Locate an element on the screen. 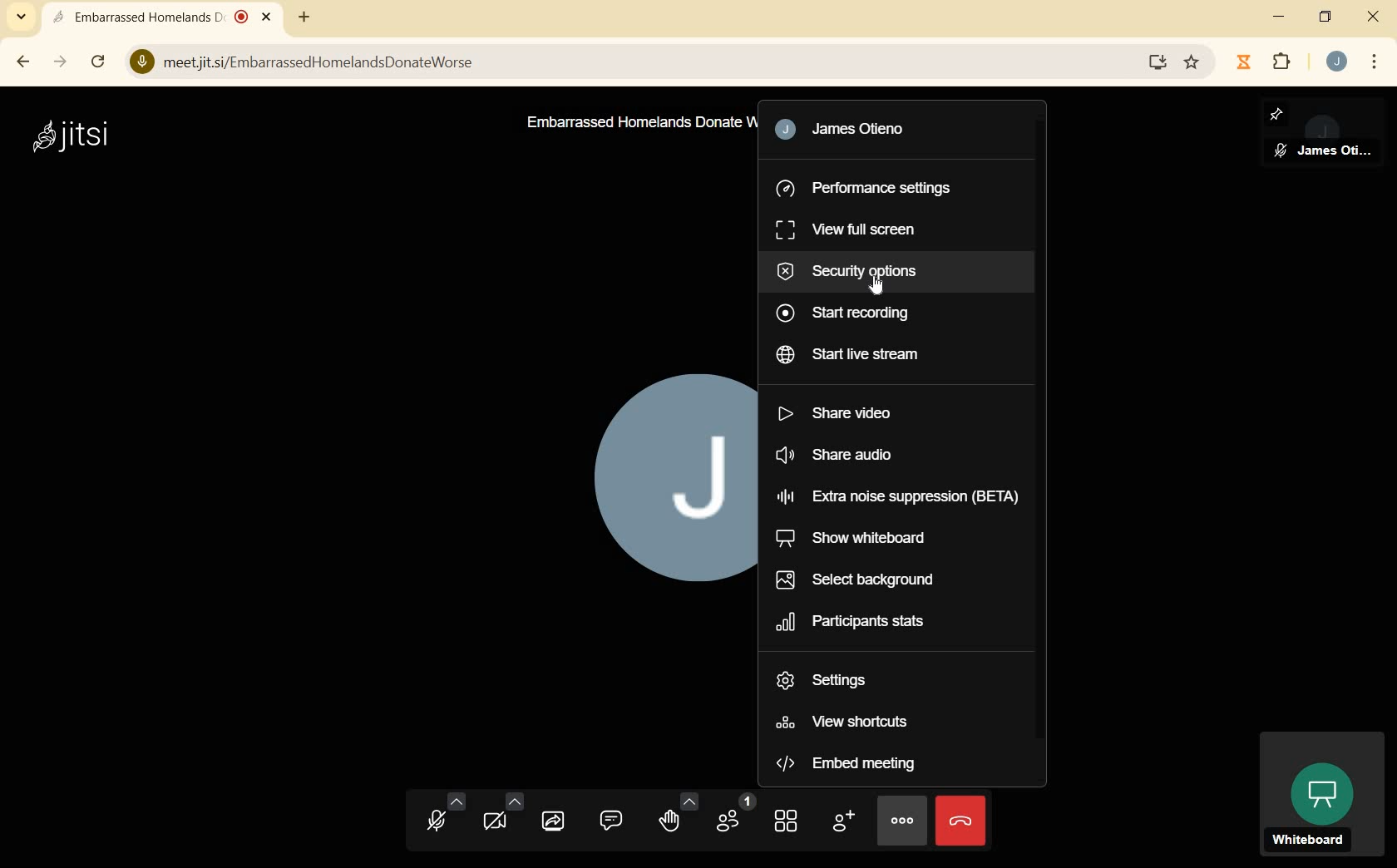 This screenshot has width=1397, height=868. Embarrassed Homelands Donate is located at coordinates (631, 123).